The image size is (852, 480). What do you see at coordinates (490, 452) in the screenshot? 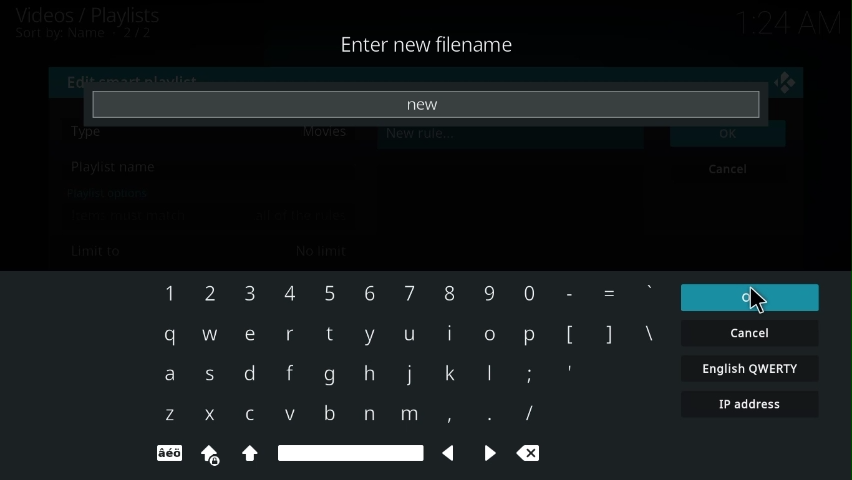
I see `next` at bounding box center [490, 452].